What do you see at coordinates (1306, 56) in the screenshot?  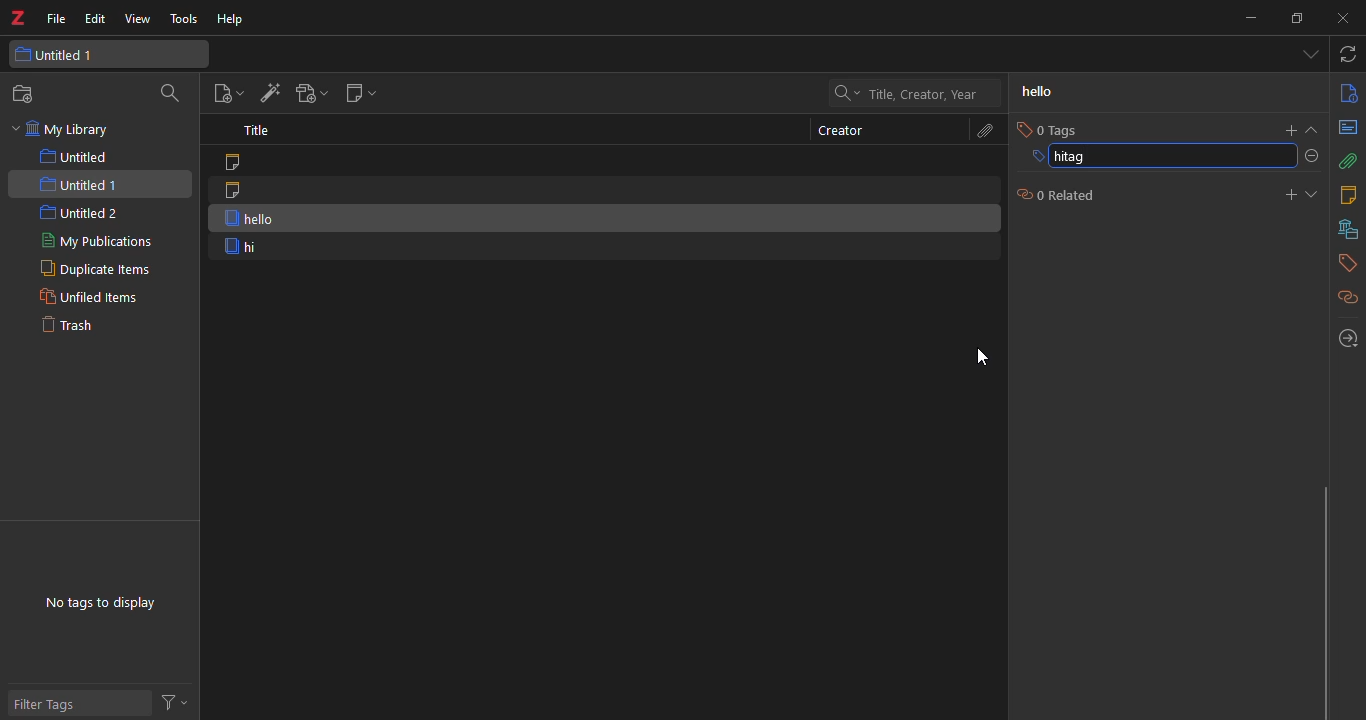 I see `tab` at bounding box center [1306, 56].